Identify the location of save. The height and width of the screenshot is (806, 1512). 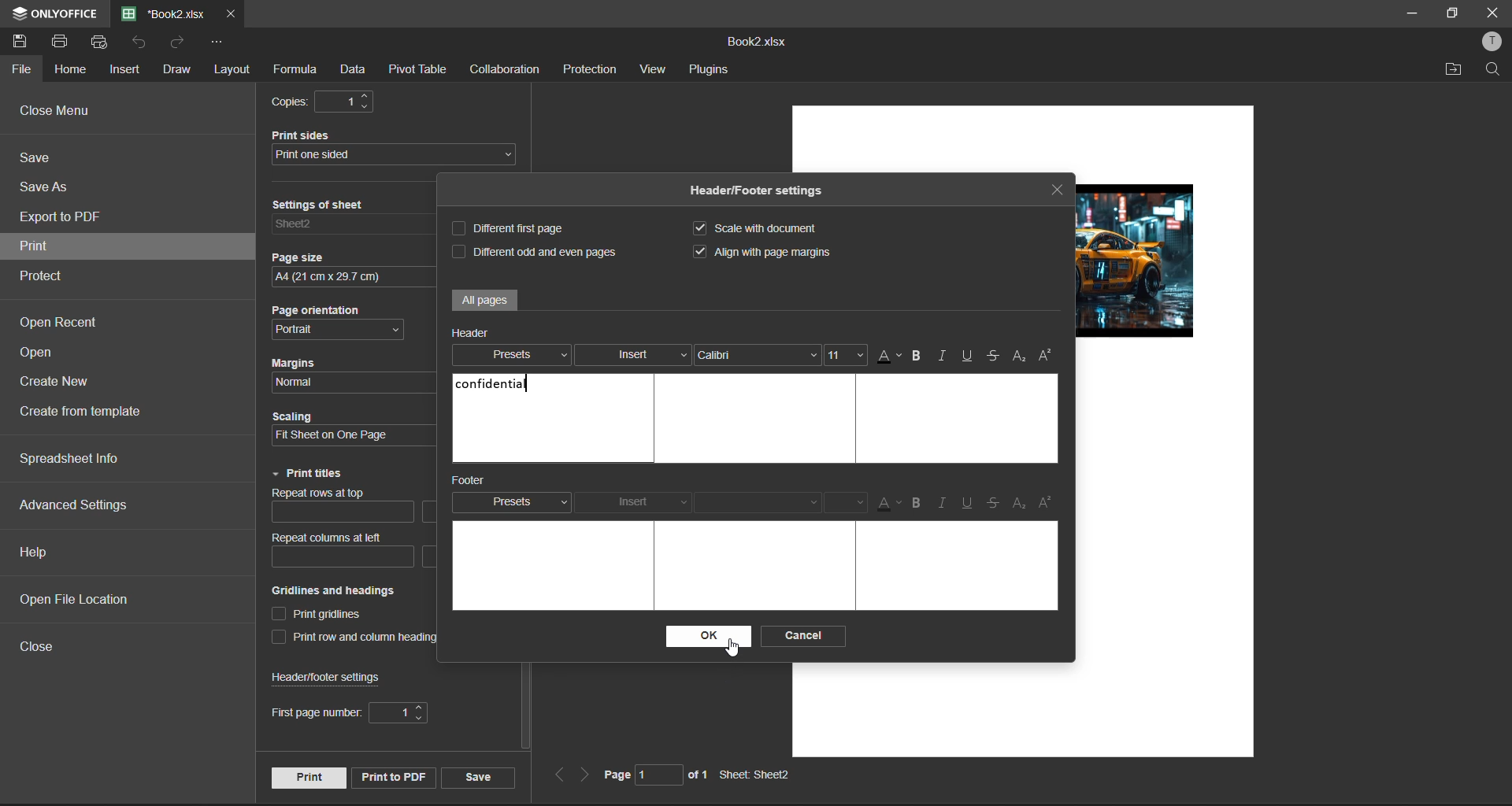
(24, 40).